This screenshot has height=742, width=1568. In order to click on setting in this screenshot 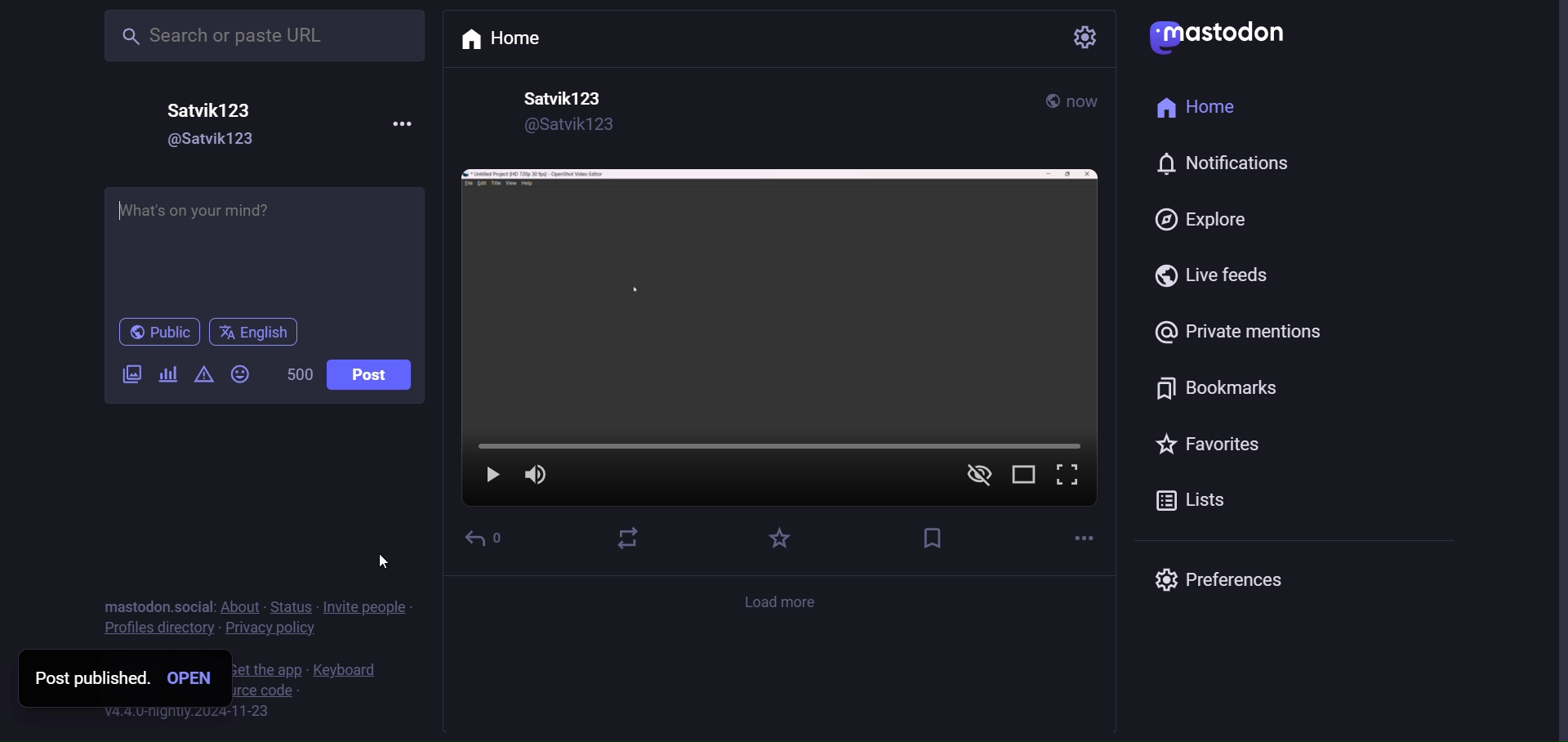, I will do `click(1081, 38)`.